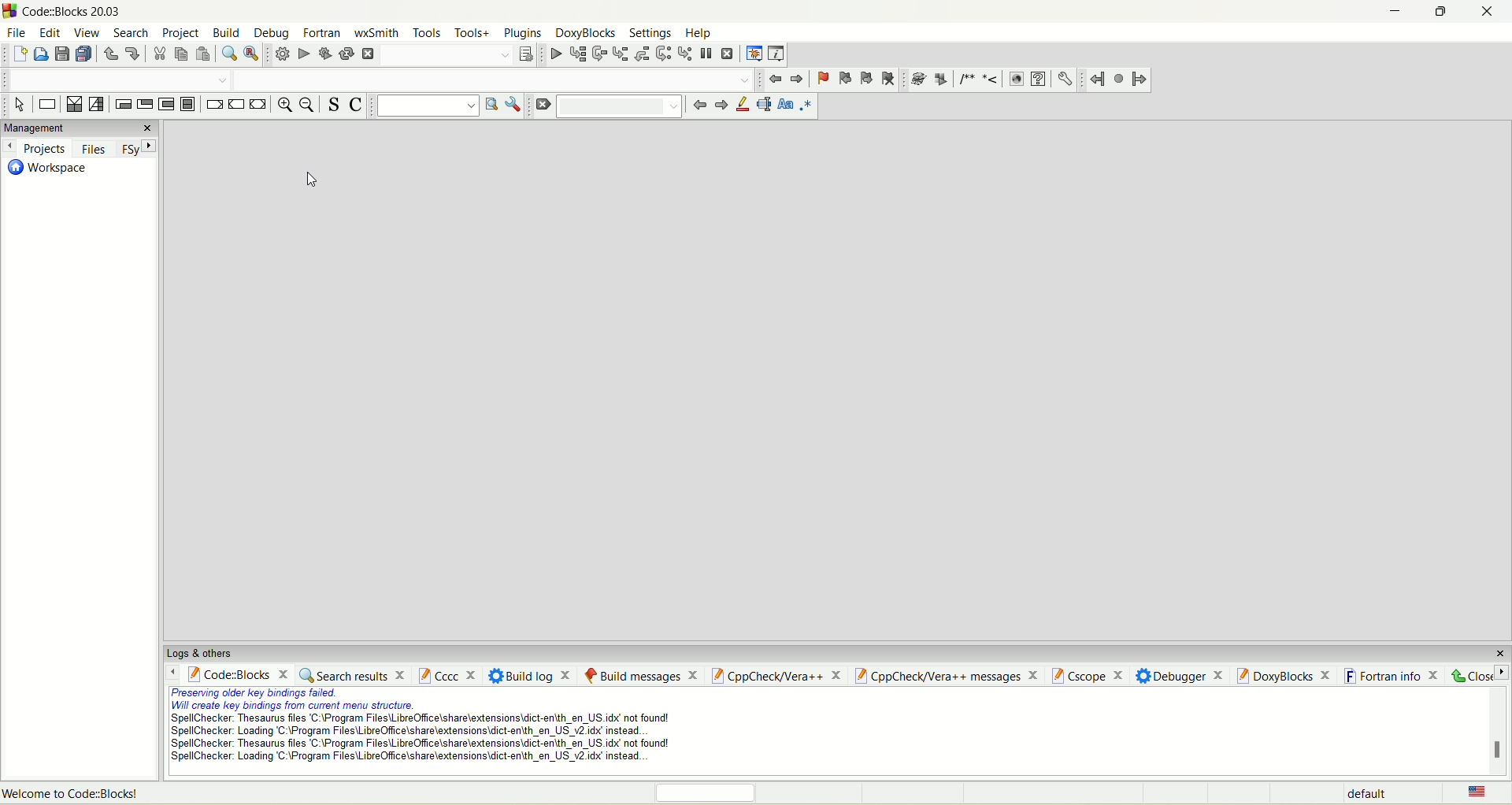  Describe the element at coordinates (39, 54) in the screenshot. I see `open` at that location.